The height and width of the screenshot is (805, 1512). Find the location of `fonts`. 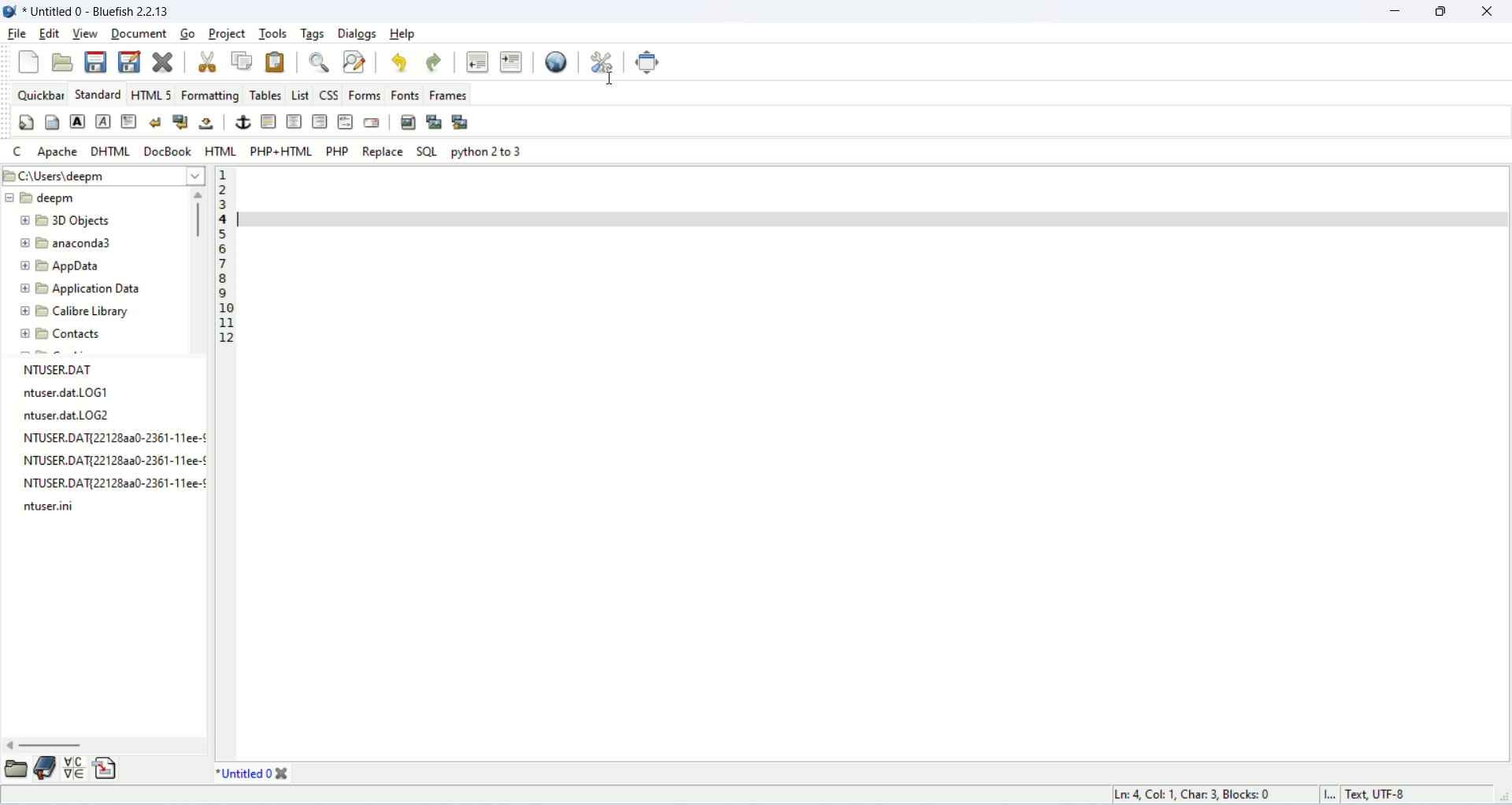

fonts is located at coordinates (406, 95).